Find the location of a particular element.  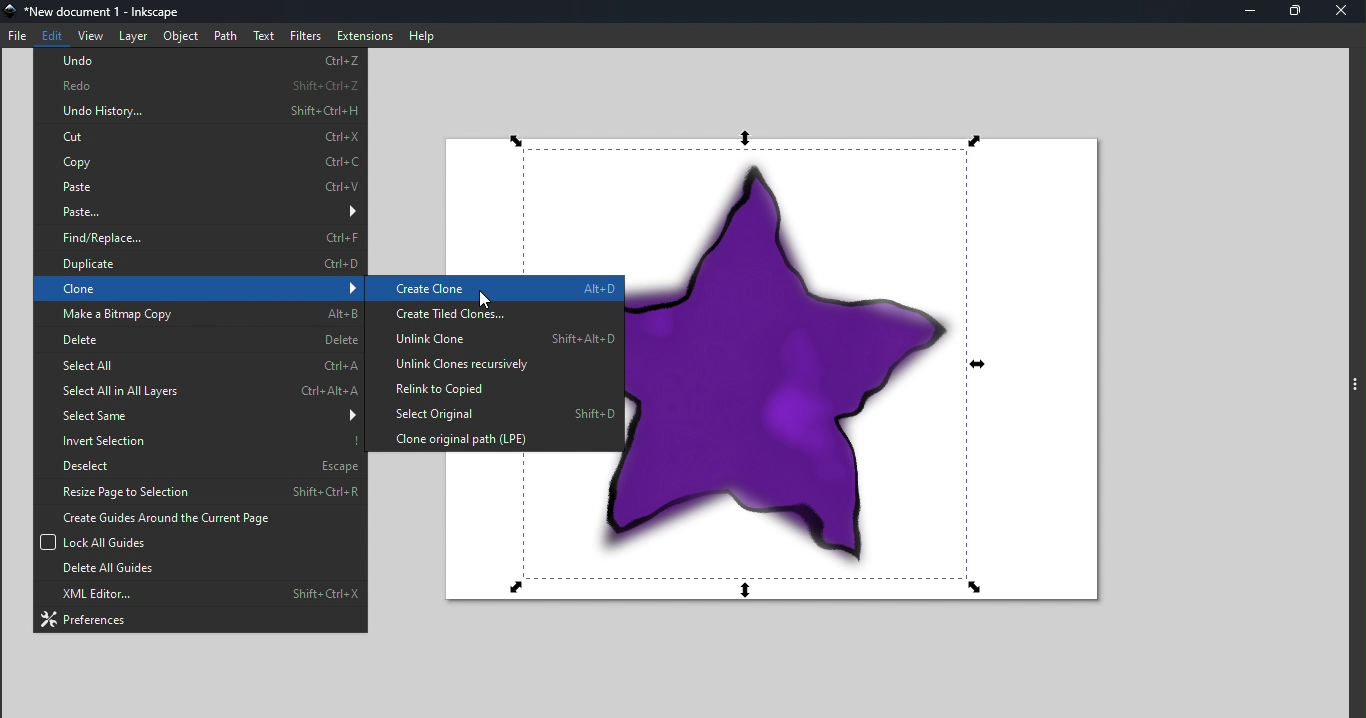

make a bitmap copy is located at coordinates (199, 313).